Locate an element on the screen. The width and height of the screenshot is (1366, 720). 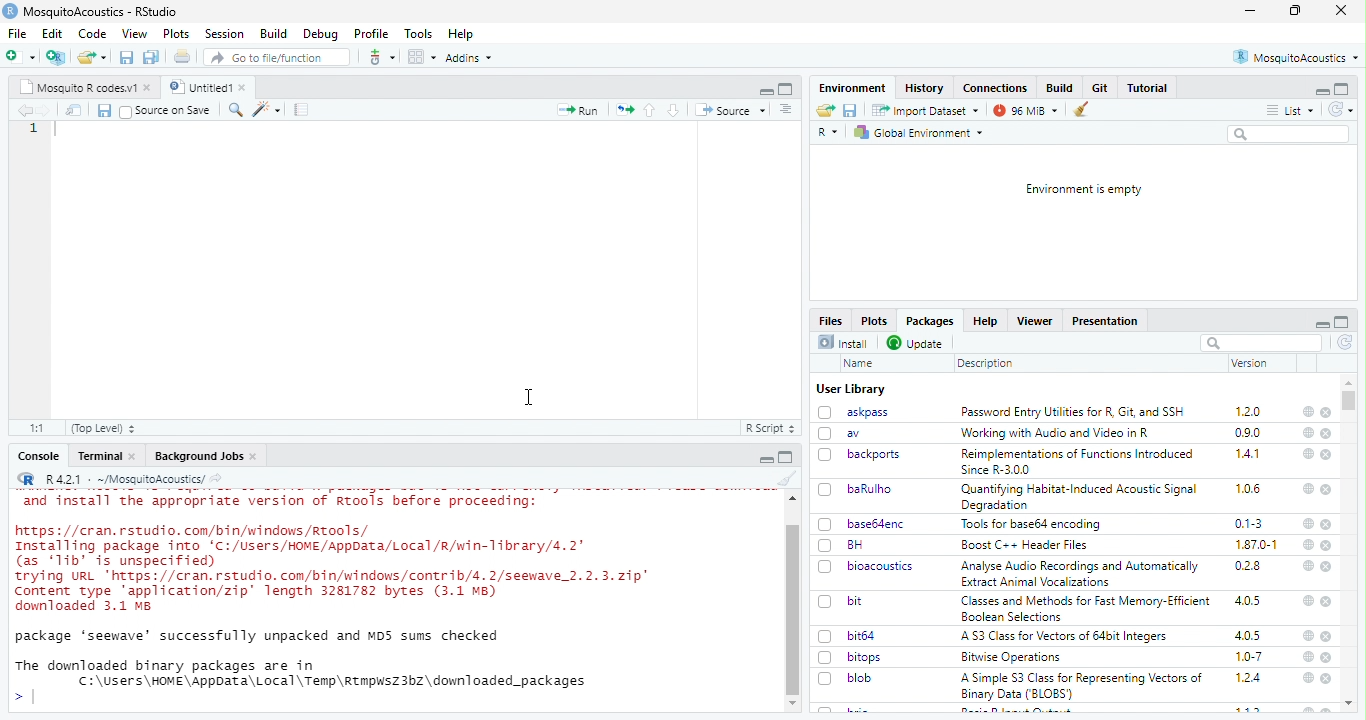
close is located at coordinates (133, 456).